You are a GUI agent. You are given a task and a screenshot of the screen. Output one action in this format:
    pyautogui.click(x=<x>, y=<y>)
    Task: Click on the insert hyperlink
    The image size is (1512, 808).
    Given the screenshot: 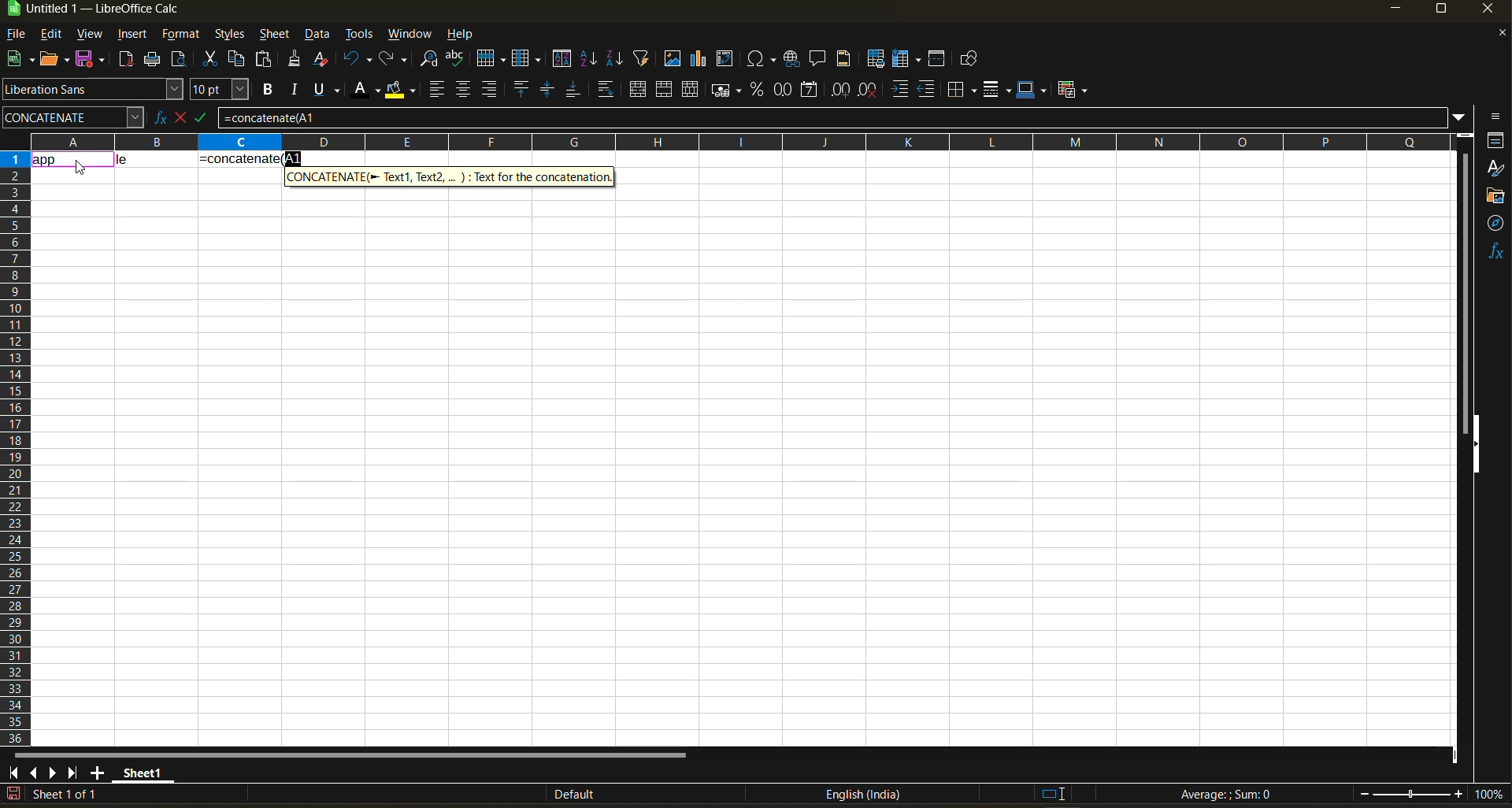 What is the action you would take?
    pyautogui.click(x=794, y=58)
    